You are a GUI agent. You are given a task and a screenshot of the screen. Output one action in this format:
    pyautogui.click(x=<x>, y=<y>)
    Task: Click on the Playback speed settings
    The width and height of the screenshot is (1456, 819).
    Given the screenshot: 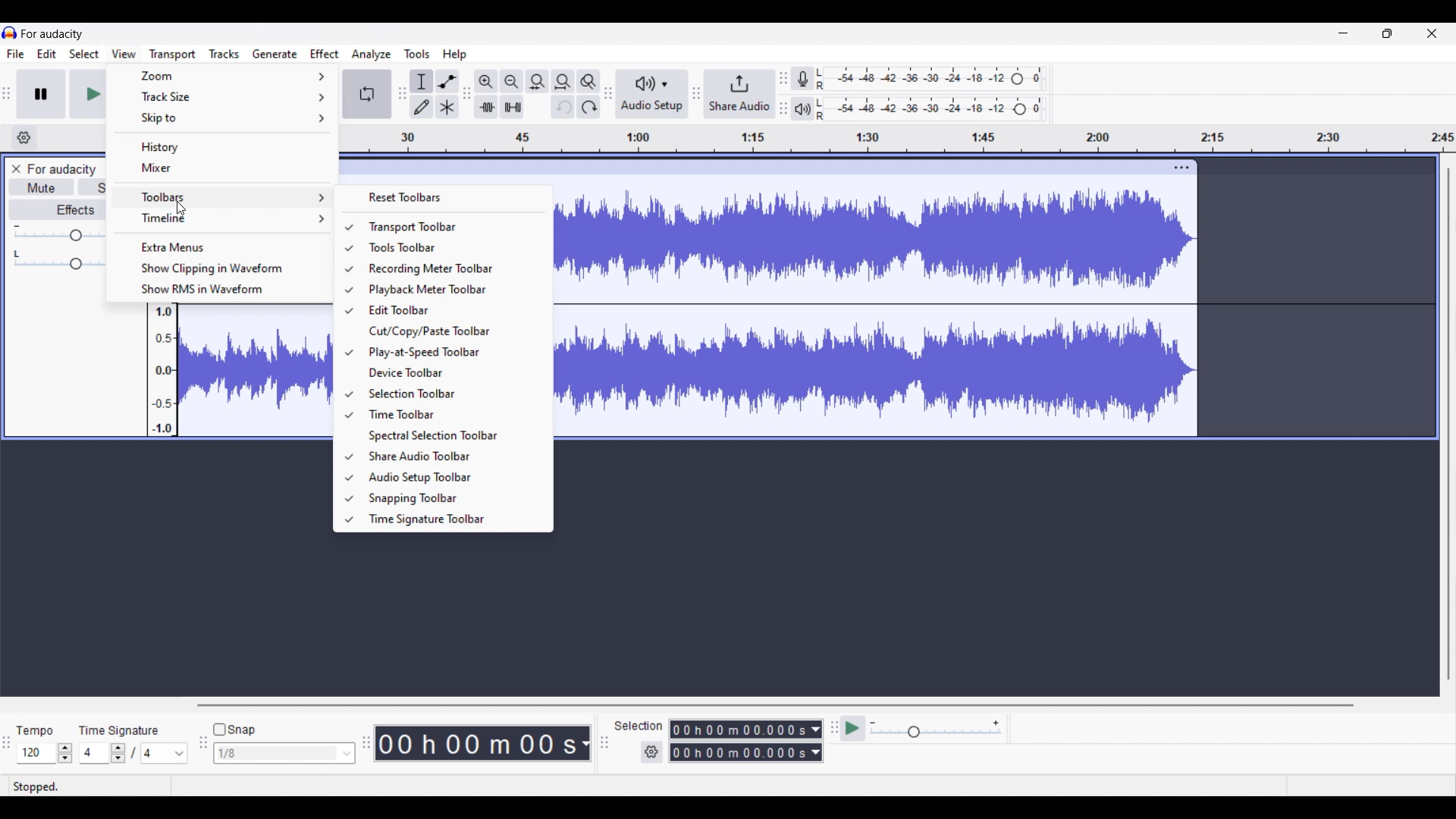 What is the action you would take?
    pyautogui.click(x=937, y=728)
    